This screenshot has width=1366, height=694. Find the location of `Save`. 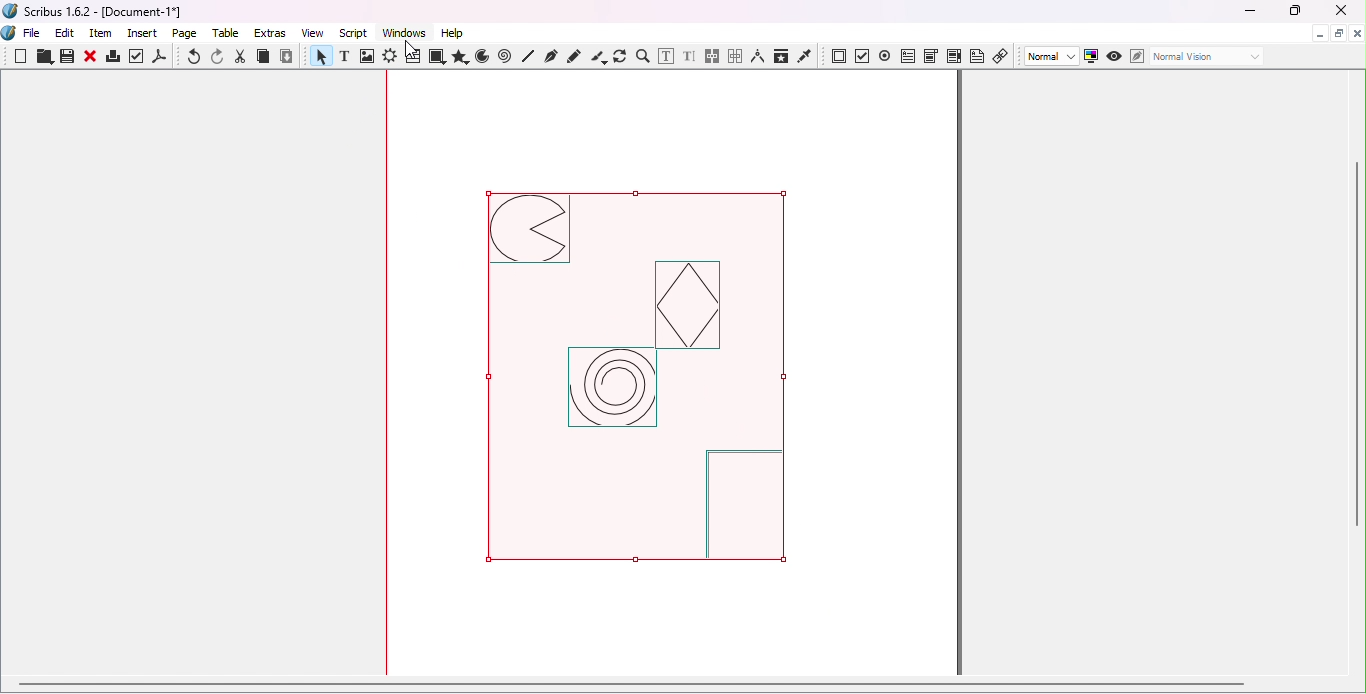

Save is located at coordinates (65, 57).